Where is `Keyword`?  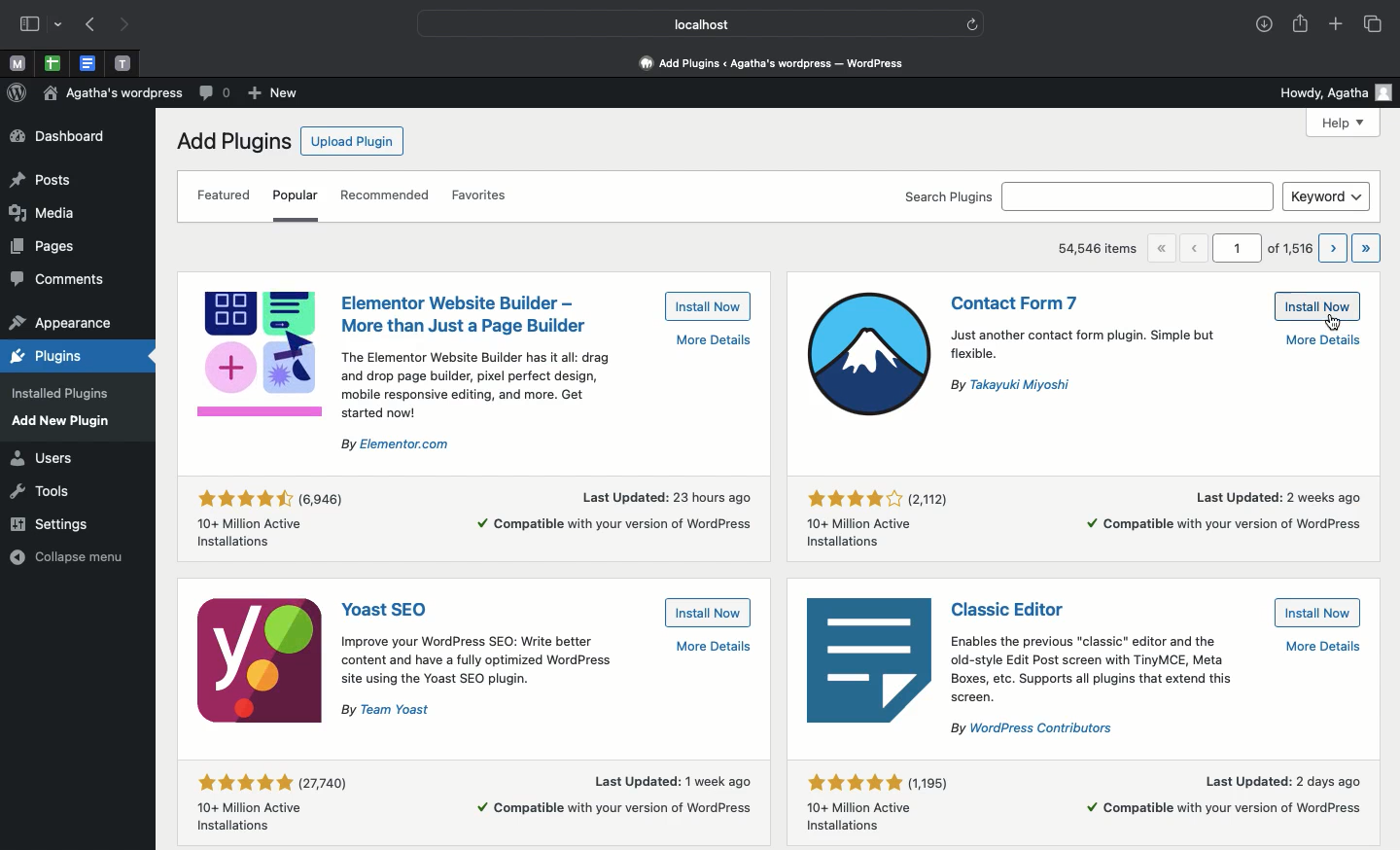 Keyword is located at coordinates (1327, 196).